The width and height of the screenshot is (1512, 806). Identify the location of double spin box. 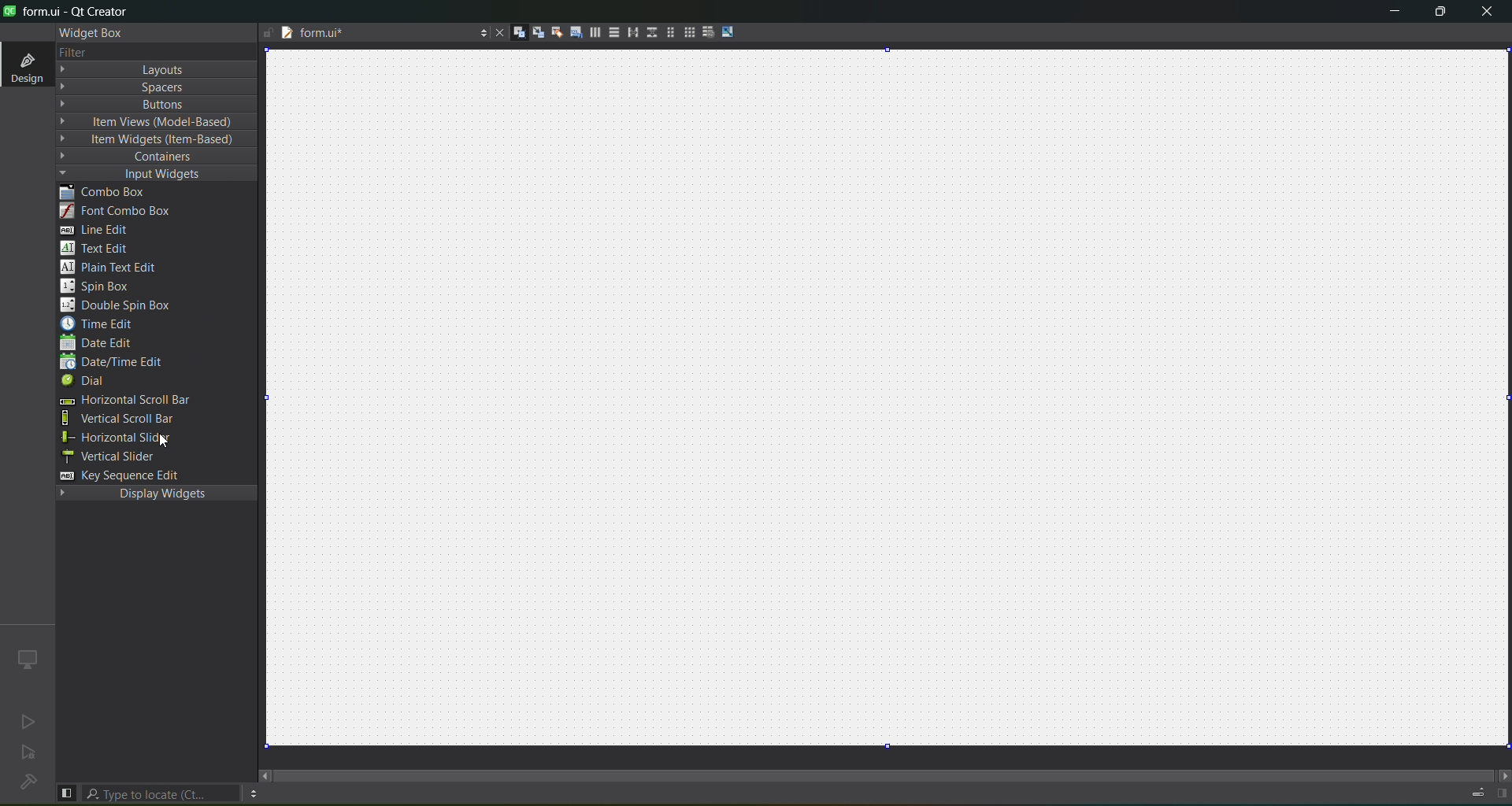
(131, 305).